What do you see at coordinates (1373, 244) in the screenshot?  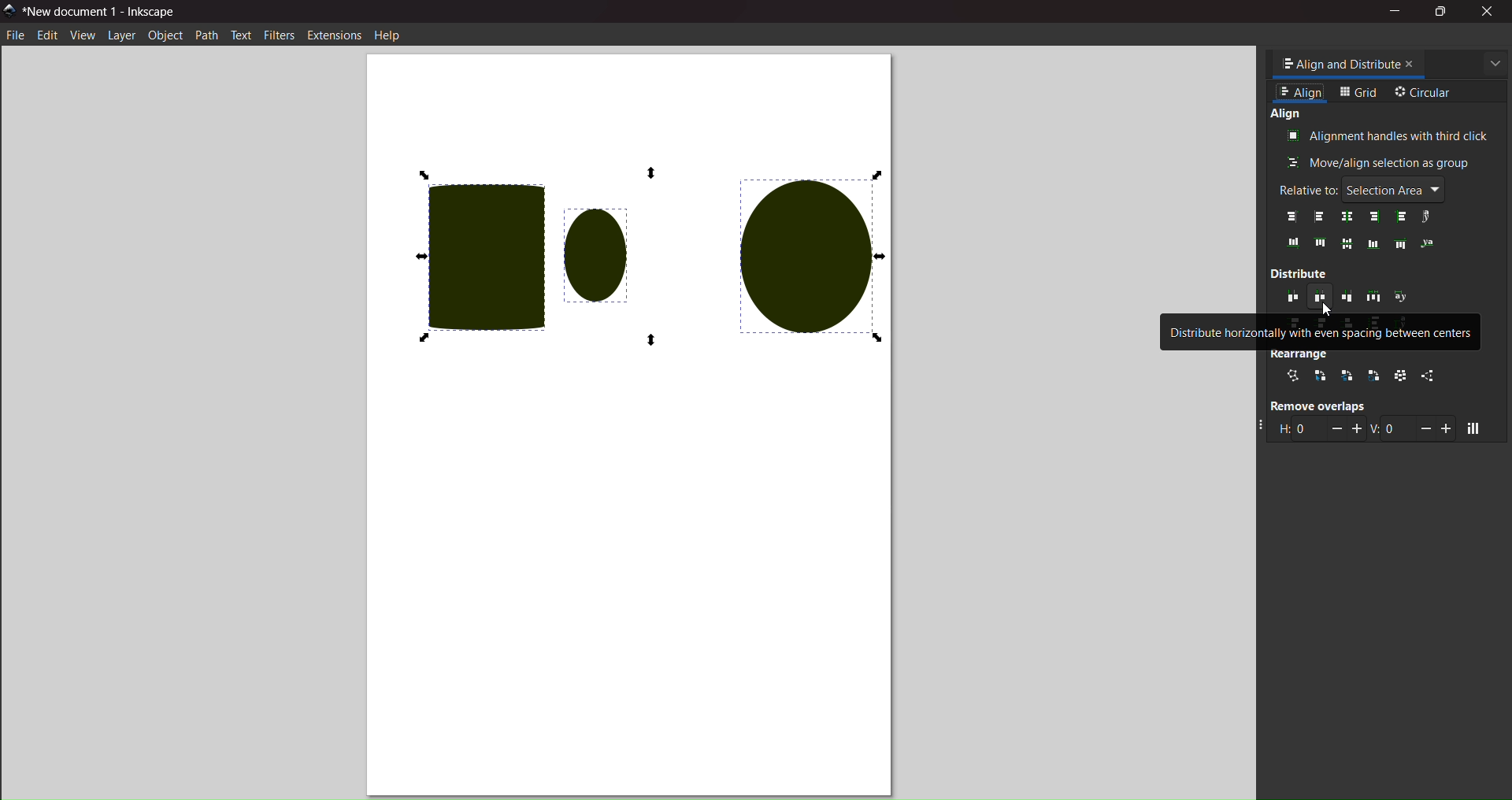 I see `align bottom` at bounding box center [1373, 244].